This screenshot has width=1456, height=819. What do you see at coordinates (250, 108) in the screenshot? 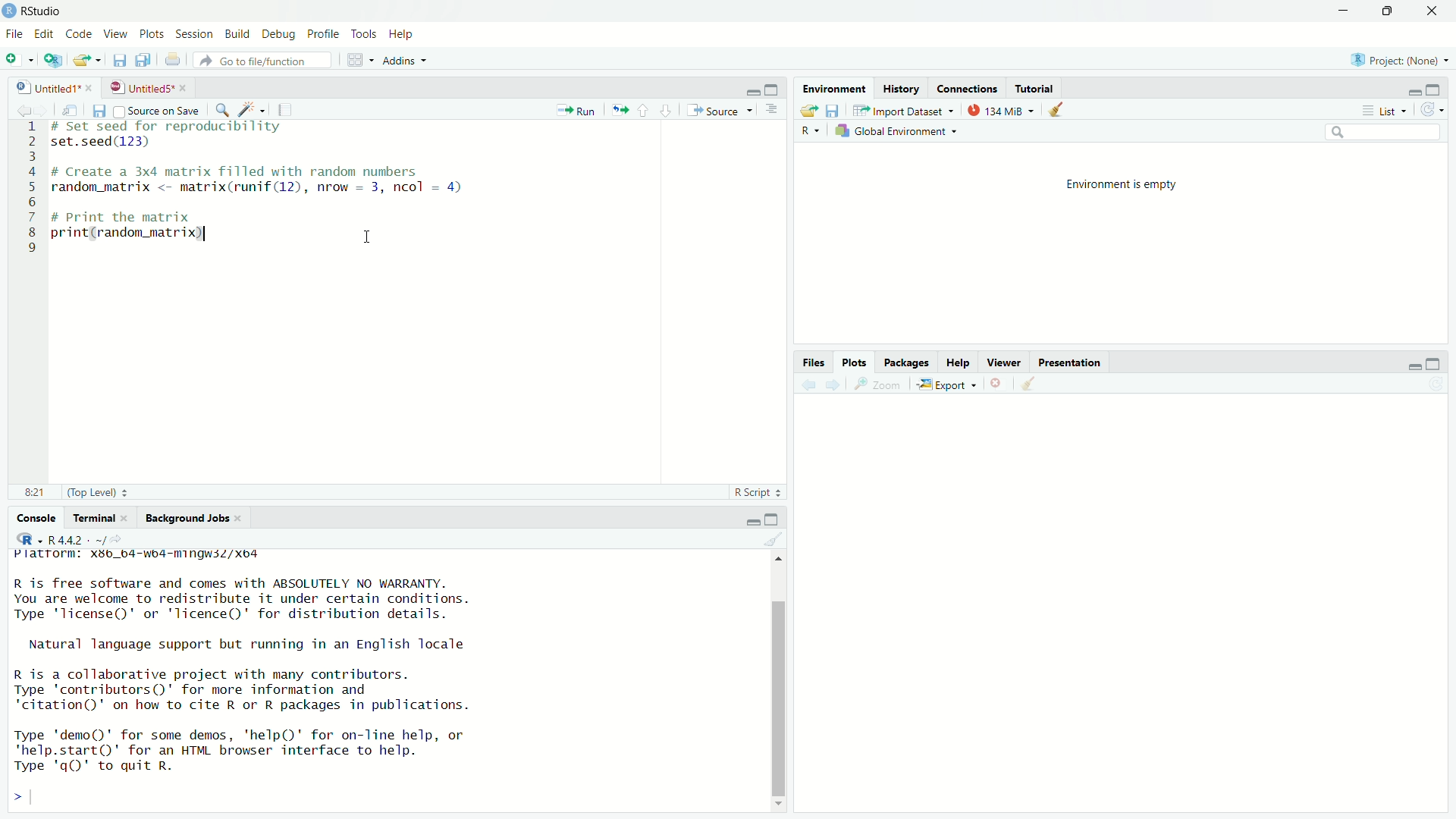
I see `spark` at bounding box center [250, 108].